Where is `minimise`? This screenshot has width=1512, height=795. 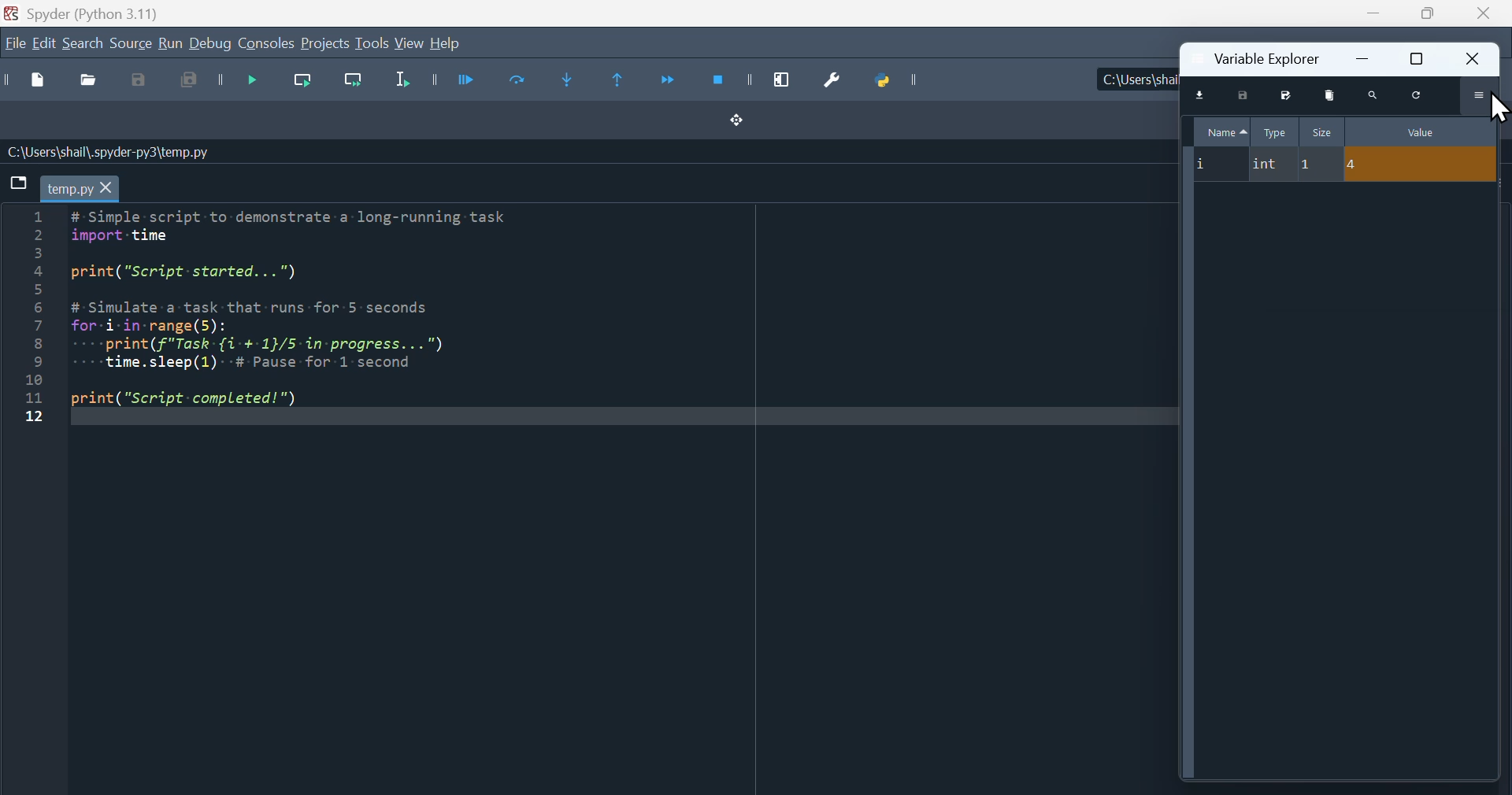
minimise is located at coordinates (1372, 13).